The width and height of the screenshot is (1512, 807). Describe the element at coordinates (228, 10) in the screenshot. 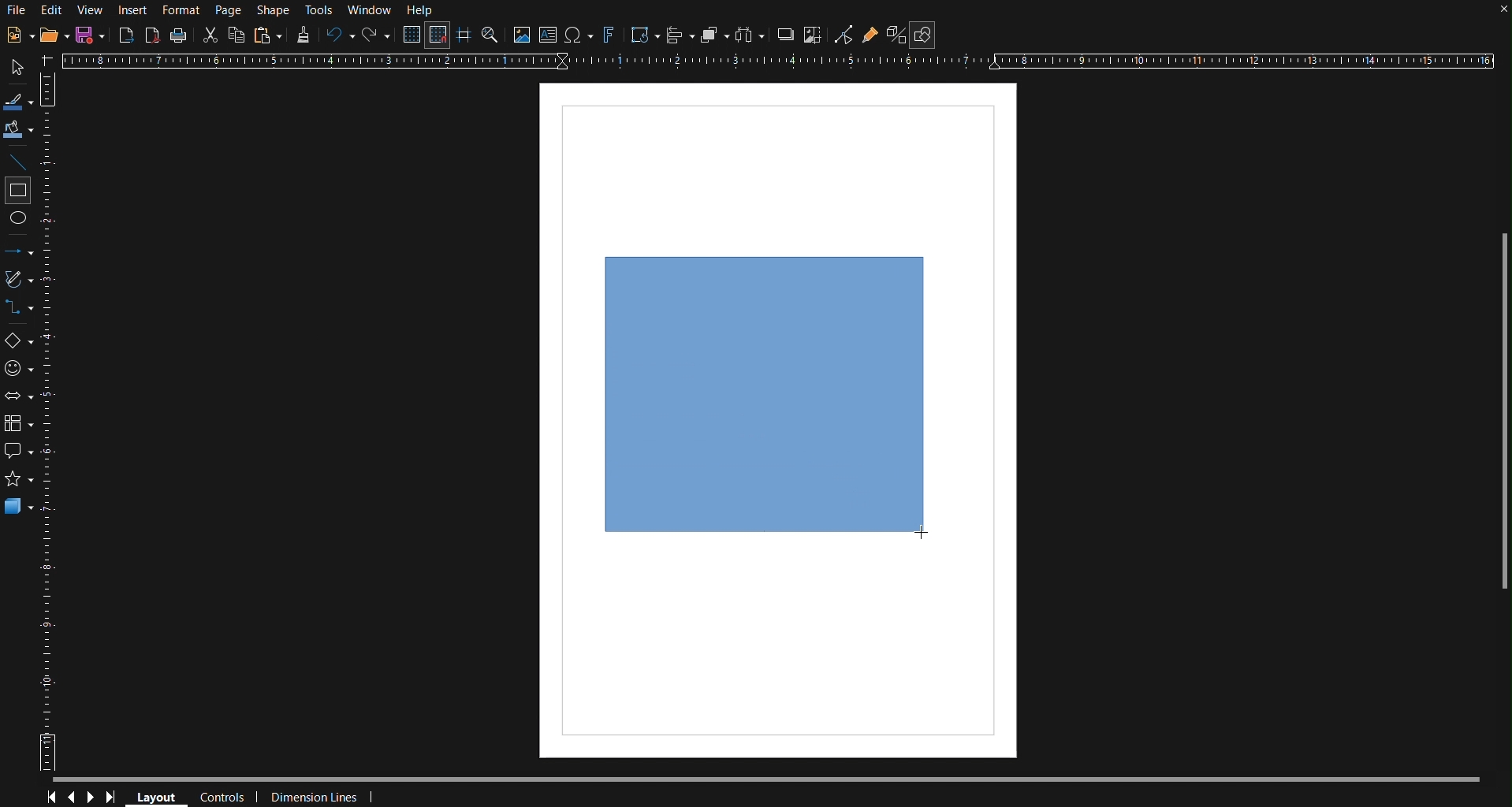

I see `Page` at that location.